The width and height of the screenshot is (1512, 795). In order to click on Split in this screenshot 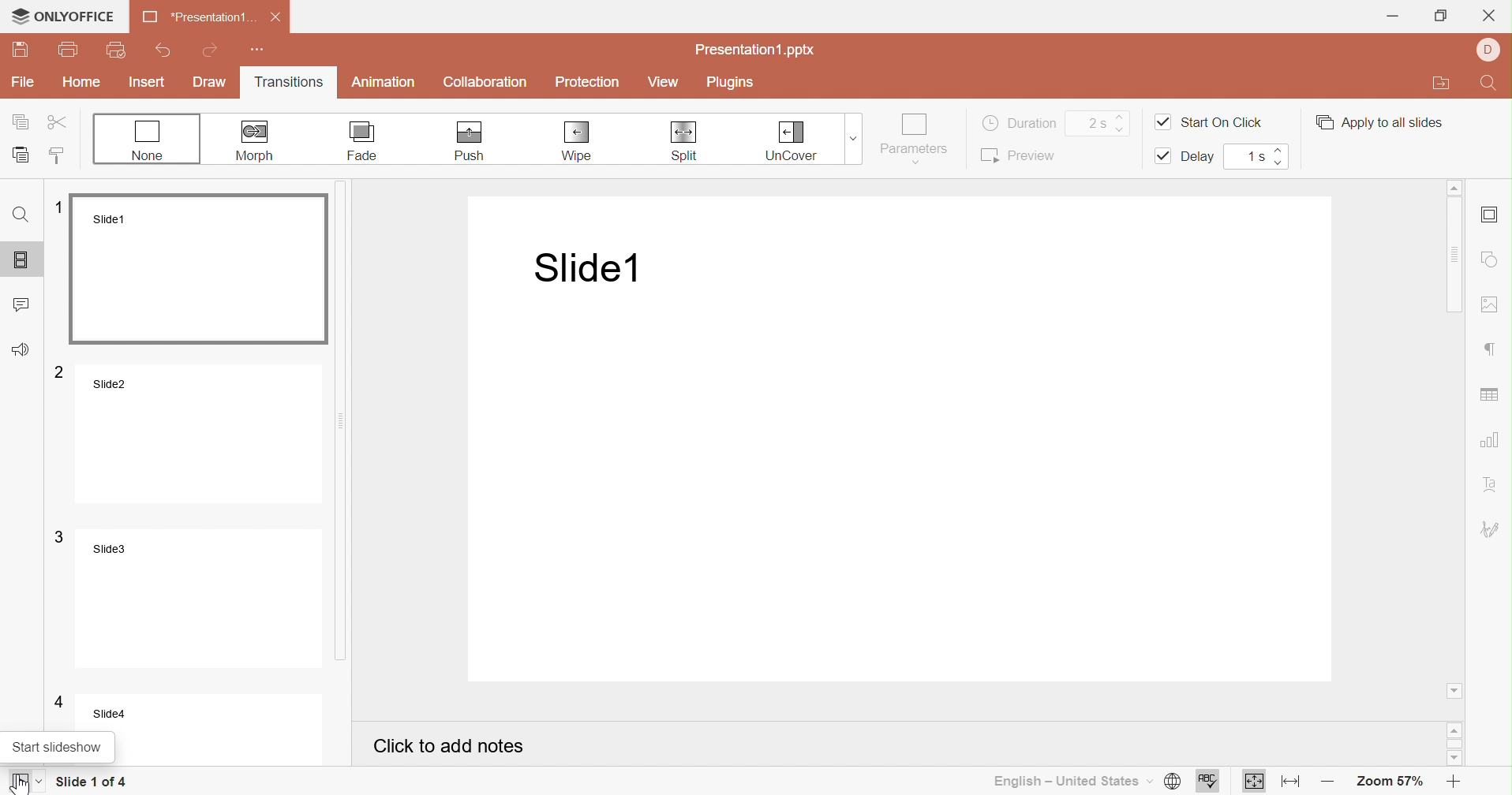, I will do `click(689, 142)`.